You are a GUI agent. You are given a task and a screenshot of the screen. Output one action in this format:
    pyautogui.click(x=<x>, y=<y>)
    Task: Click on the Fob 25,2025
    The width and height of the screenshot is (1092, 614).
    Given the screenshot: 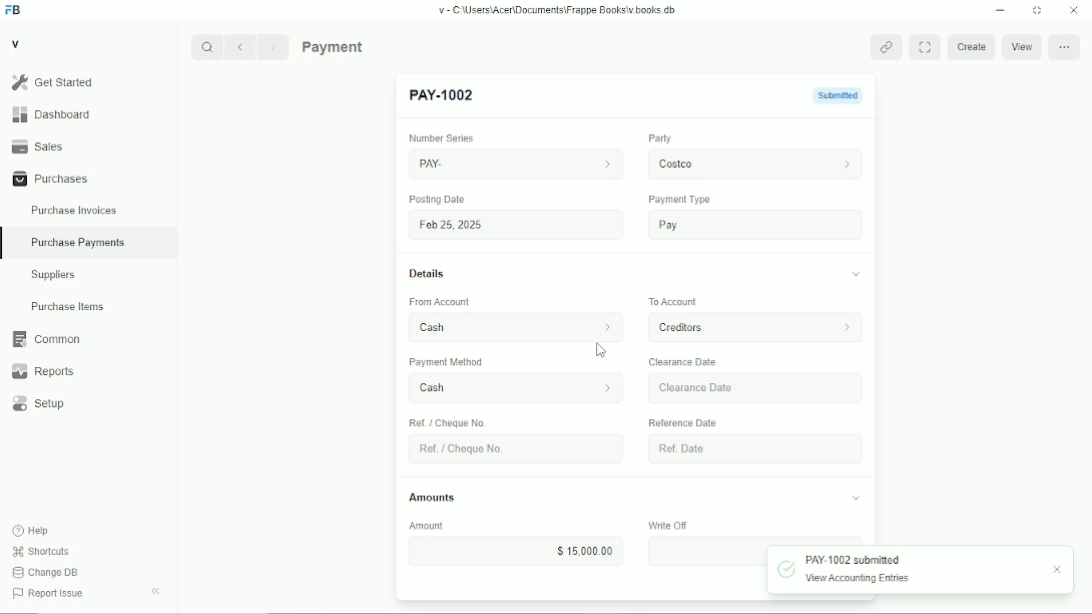 What is the action you would take?
    pyautogui.click(x=511, y=224)
    